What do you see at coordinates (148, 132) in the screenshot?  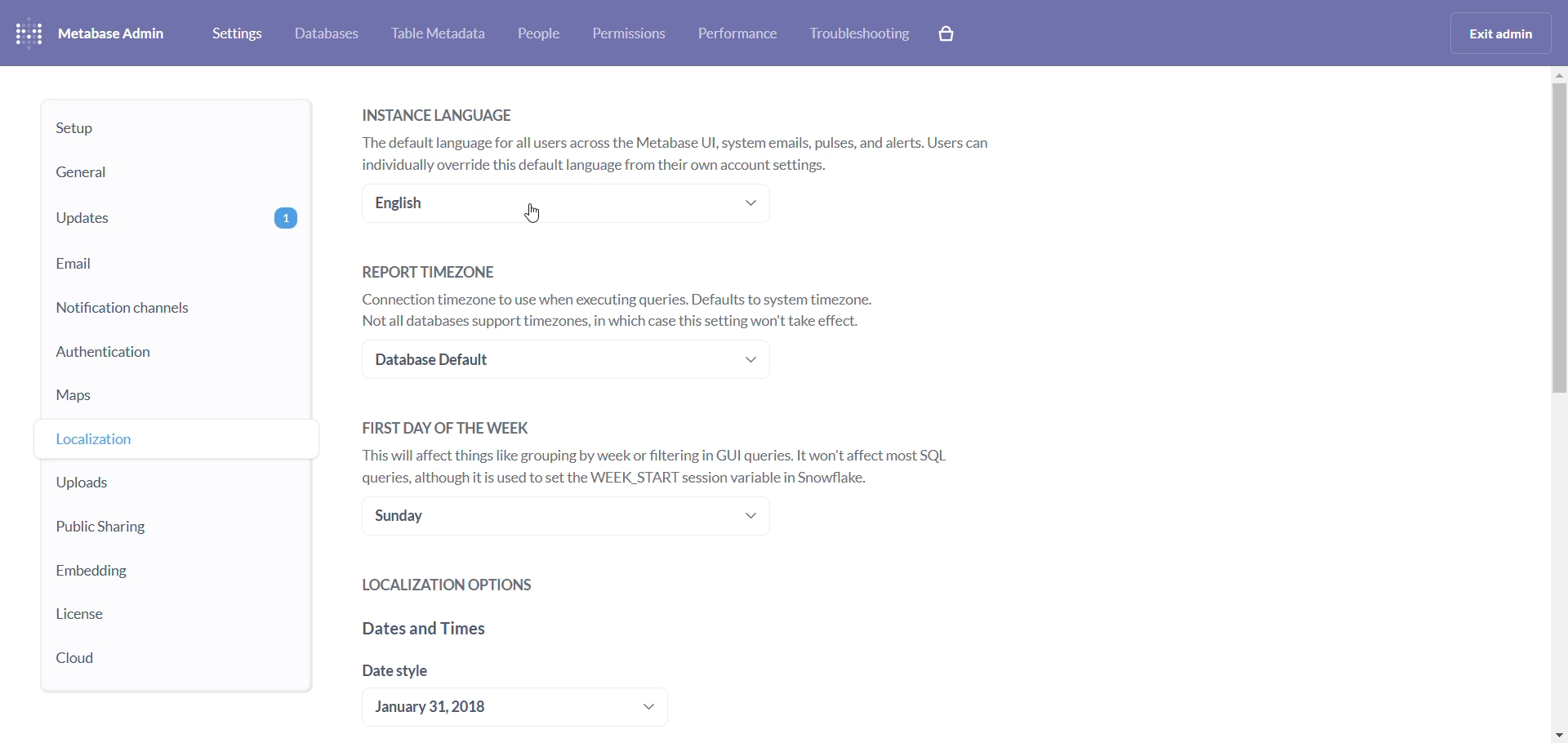 I see `setup` at bounding box center [148, 132].